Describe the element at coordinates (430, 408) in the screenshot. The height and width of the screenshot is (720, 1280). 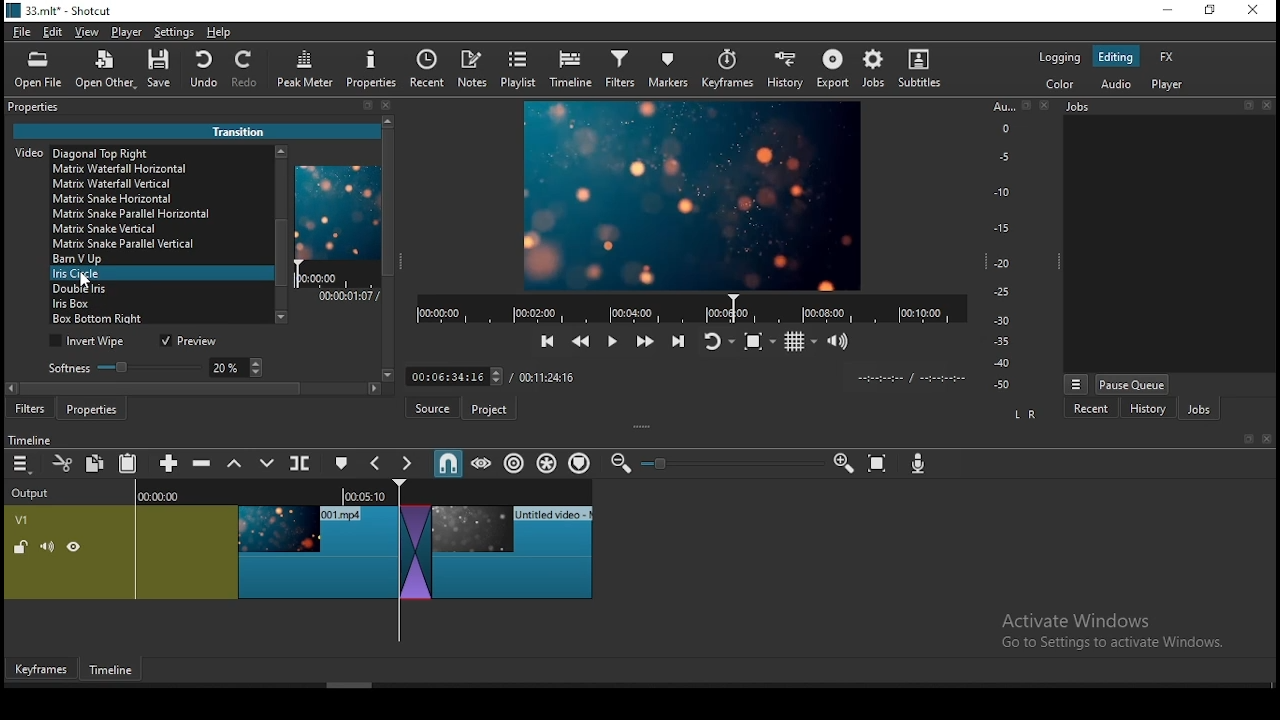
I see `Source` at that location.